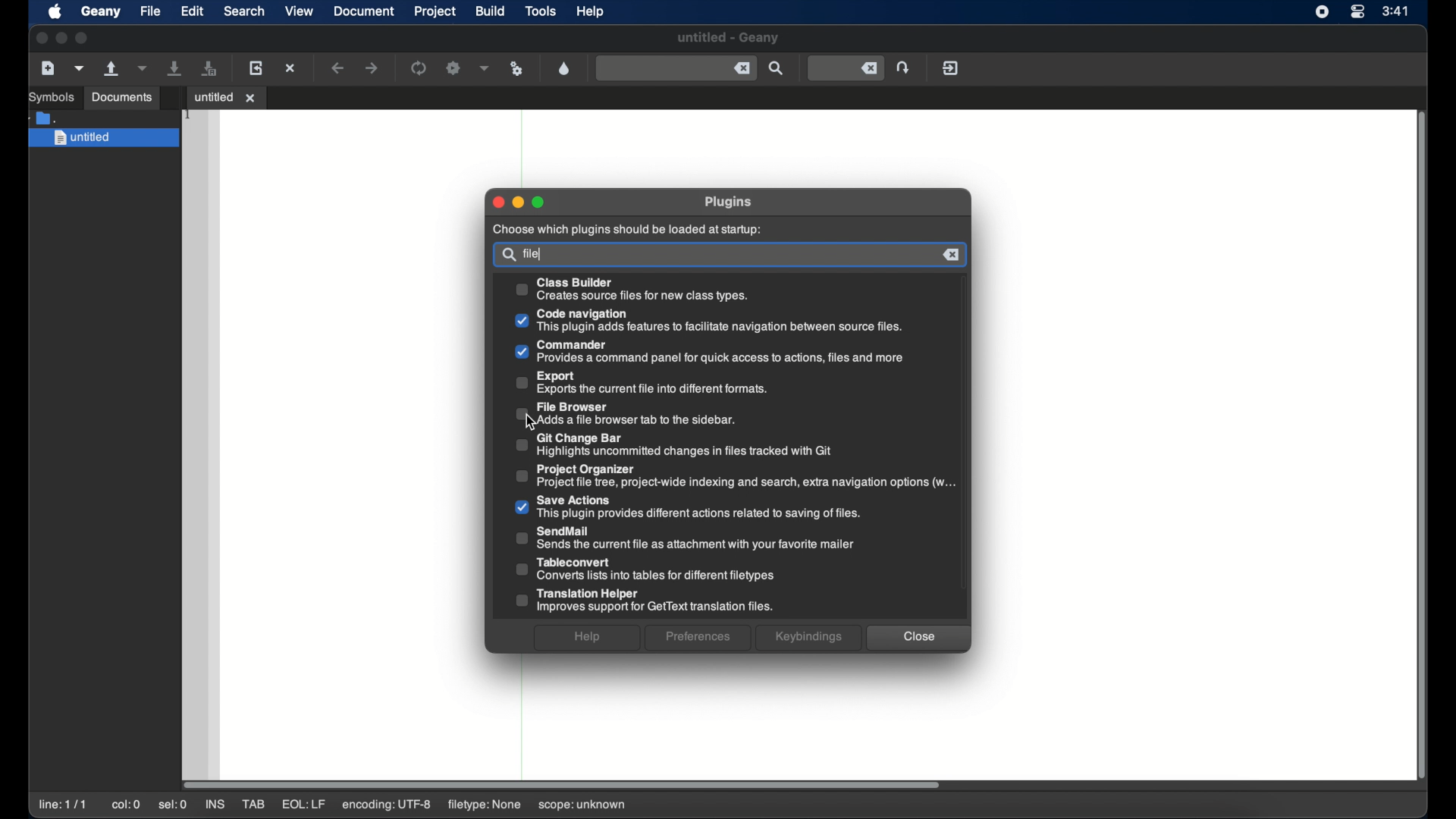 The height and width of the screenshot is (819, 1456). What do you see at coordinates (50, 97) in the screenshot?
I see `symbols` at bounding box center [50, 97].